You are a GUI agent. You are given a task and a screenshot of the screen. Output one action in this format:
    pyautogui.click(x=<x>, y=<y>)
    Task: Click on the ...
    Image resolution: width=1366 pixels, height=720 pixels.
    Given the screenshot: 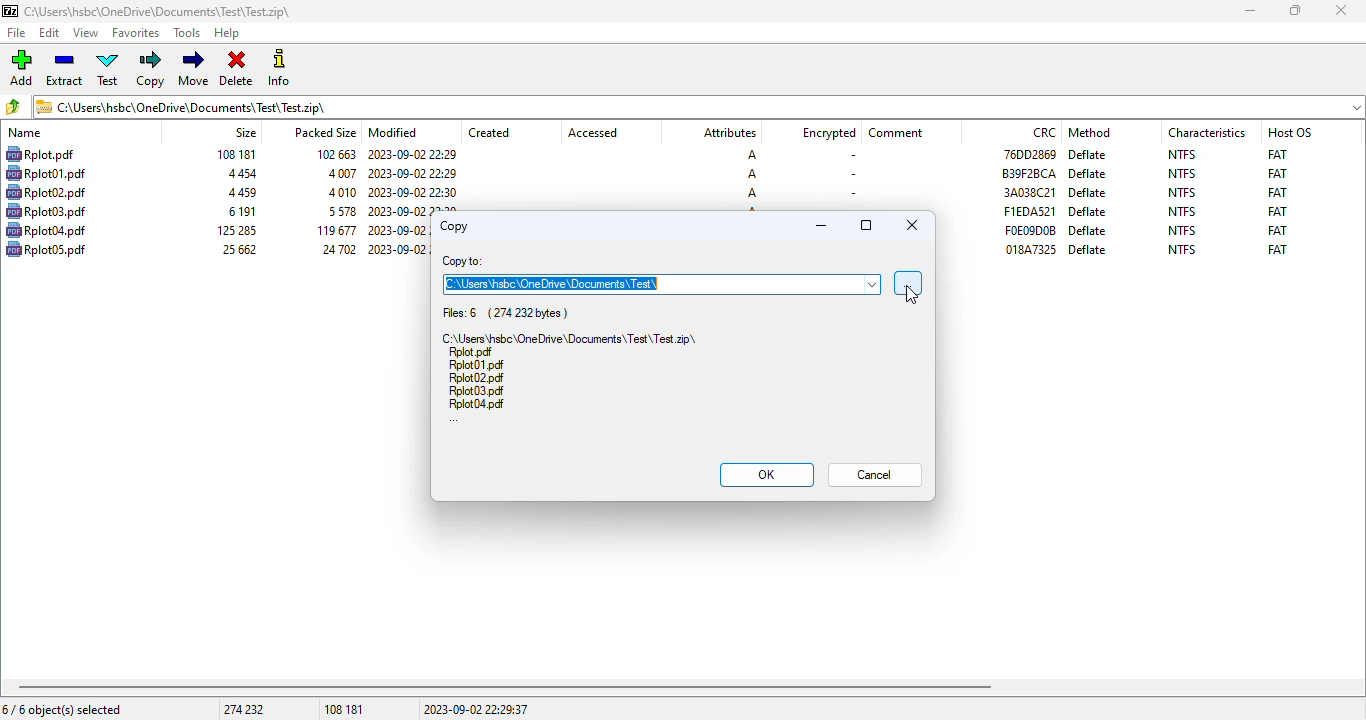 What is the action you would take?
    pyautogui.click(x=454, y=420)
    